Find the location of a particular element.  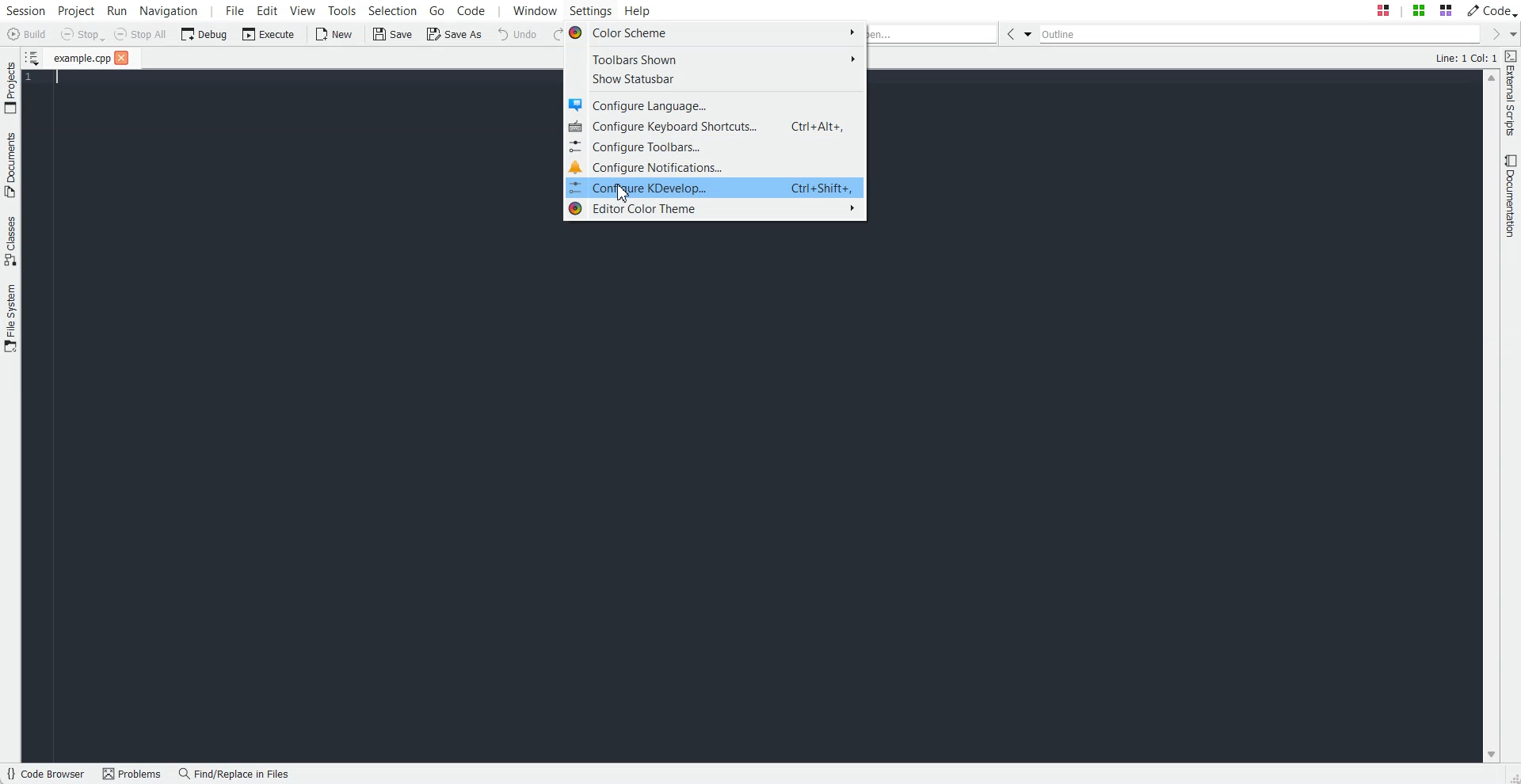

Drop down box is located at coordinates (1028, 33).